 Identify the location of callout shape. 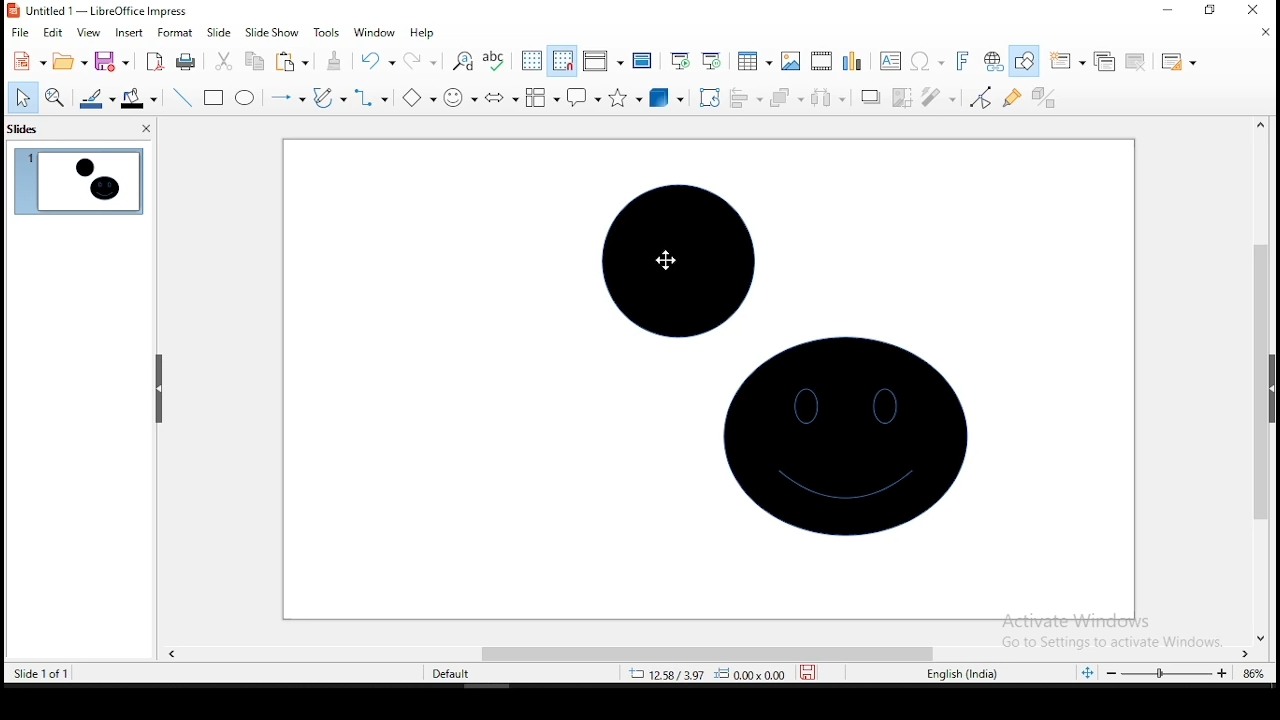
(582, 98).